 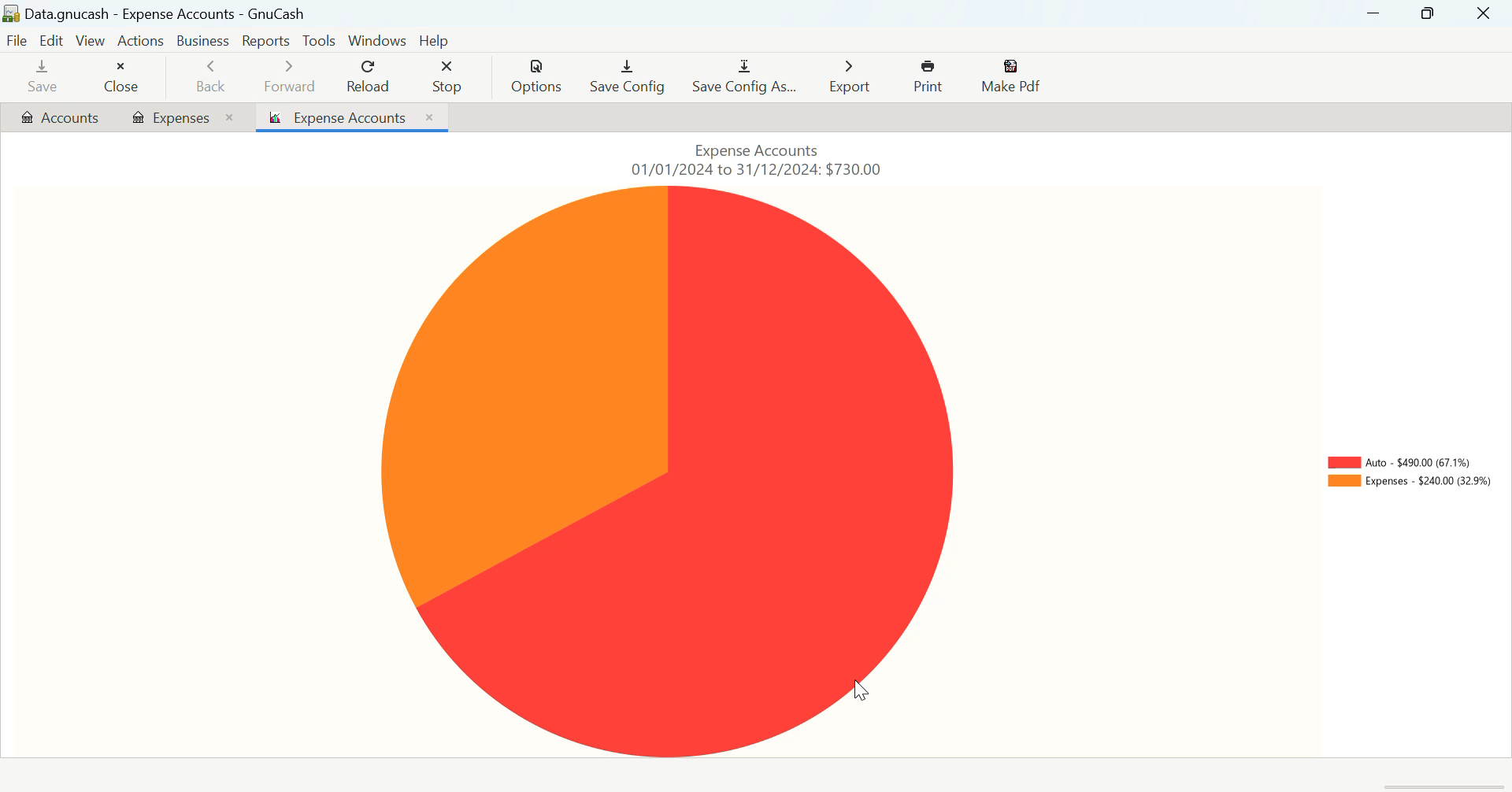 What do you see at coordinates (1409, 476) in the screenshot?
I see `Piechart Key` at bounding box center [1409, 476].